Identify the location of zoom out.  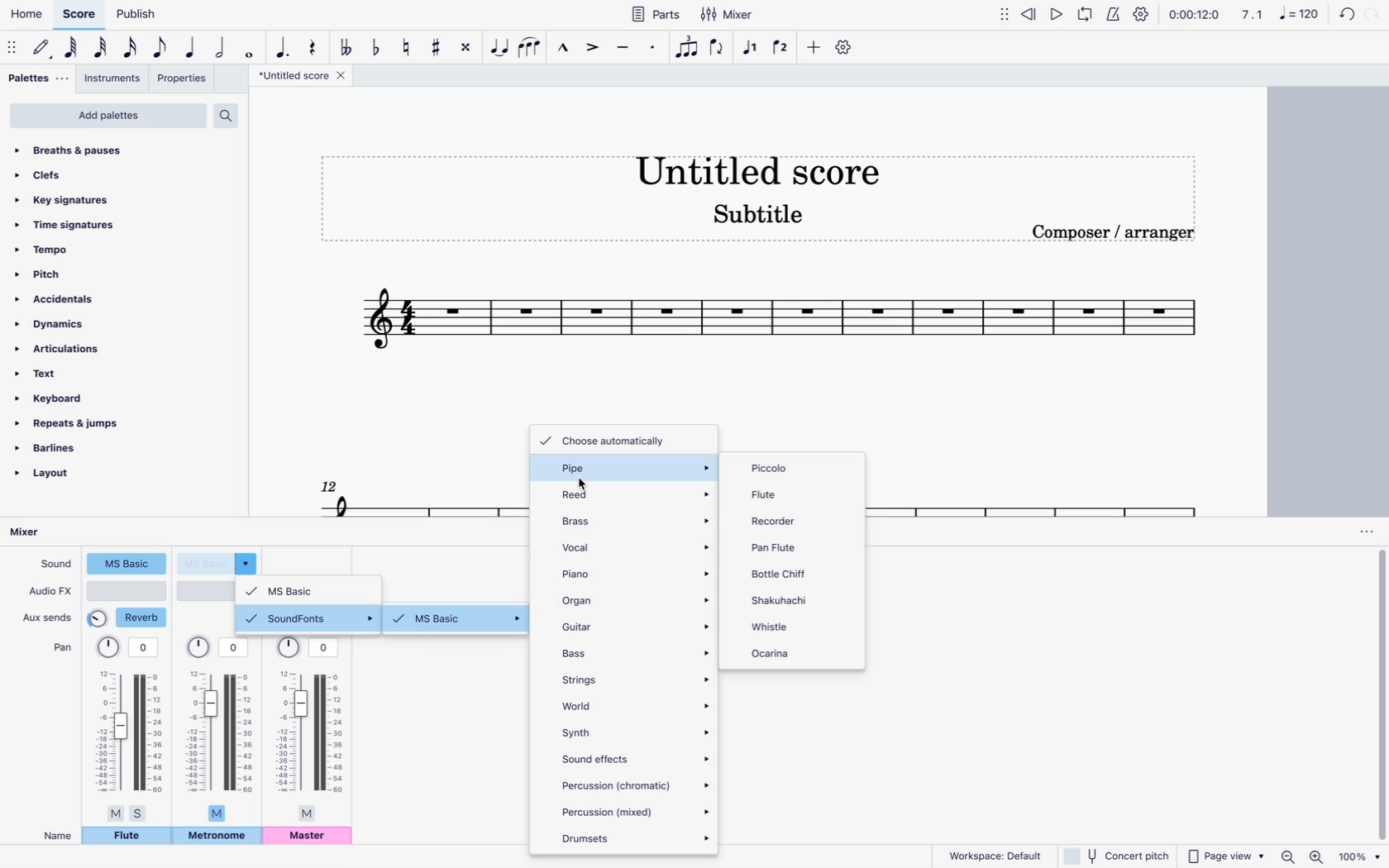
(1287, 856).